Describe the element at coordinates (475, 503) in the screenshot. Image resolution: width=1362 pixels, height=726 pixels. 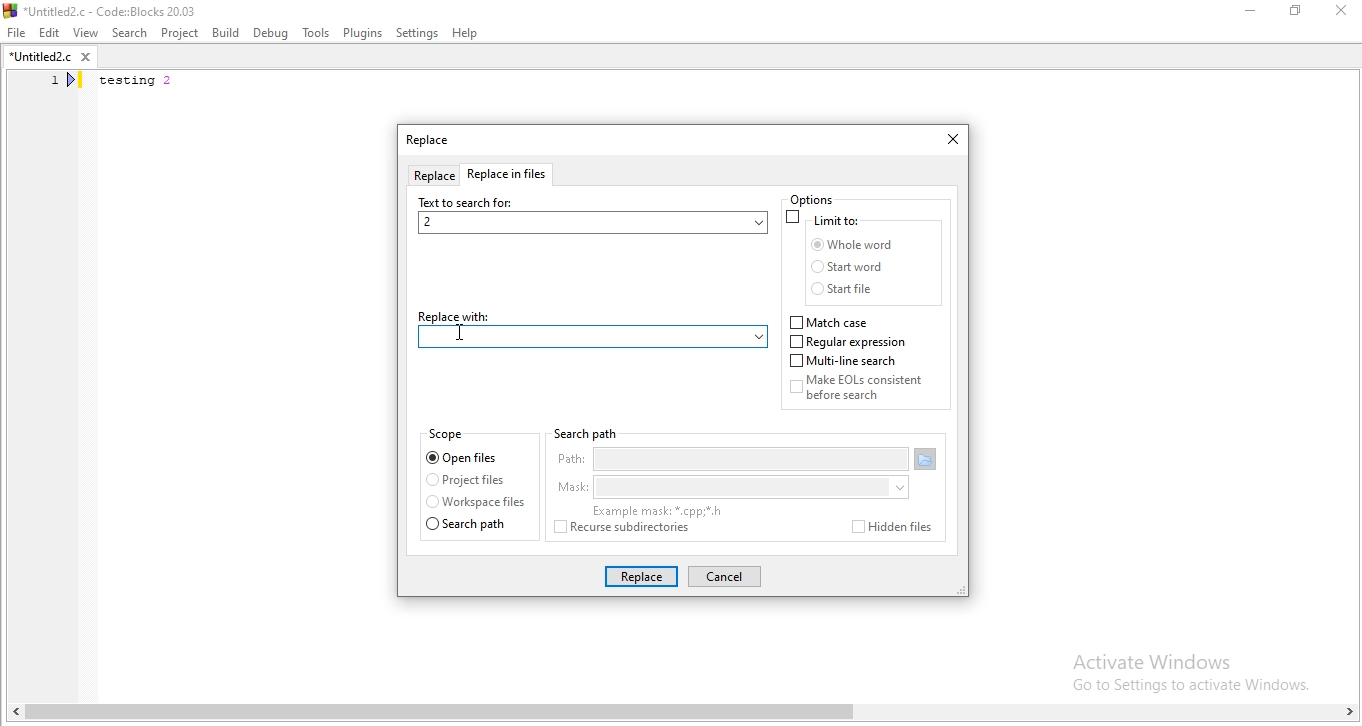
I see `workspace files` at that location.